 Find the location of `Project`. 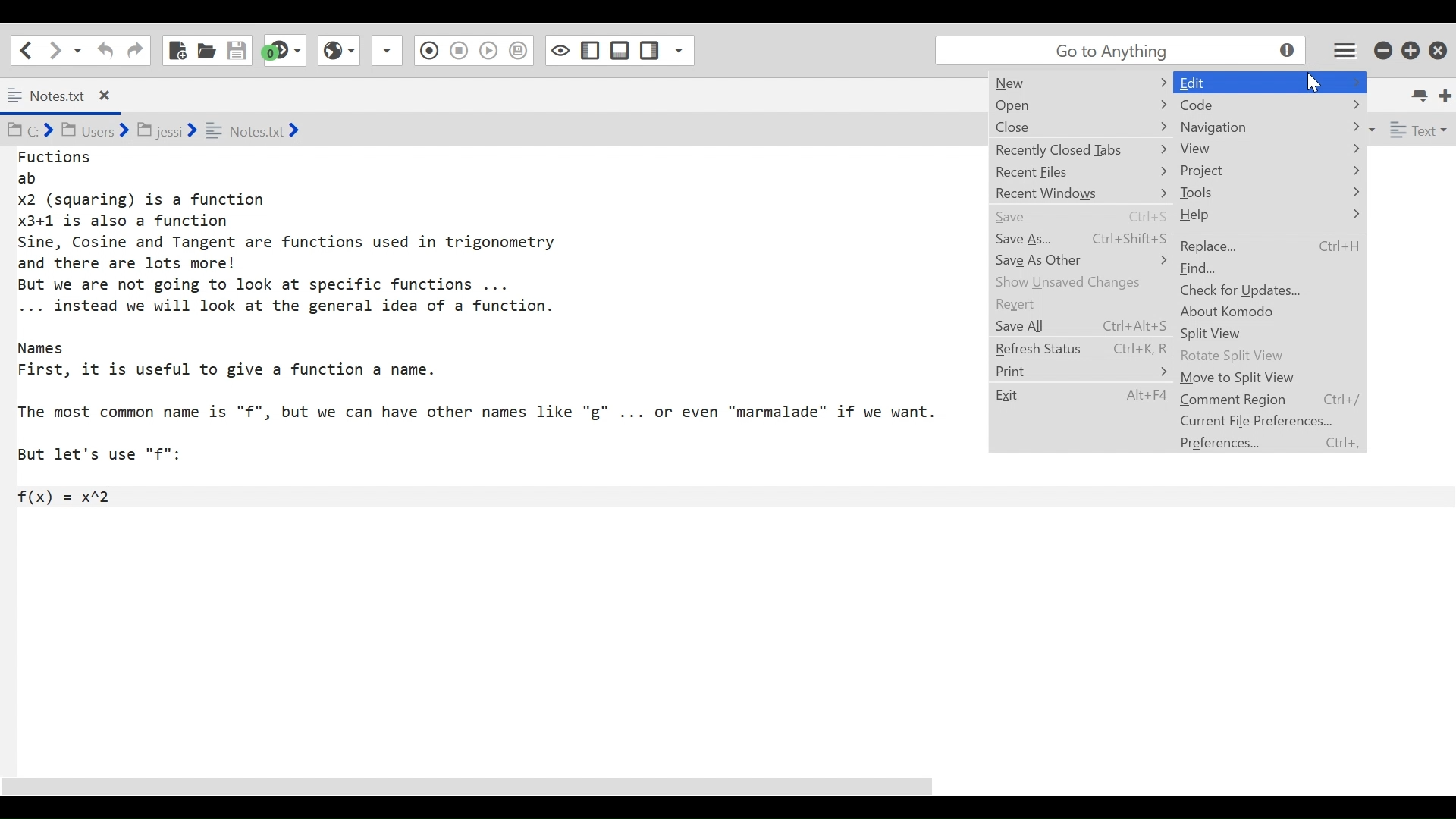

Project is located at coordinates (1212, 168).